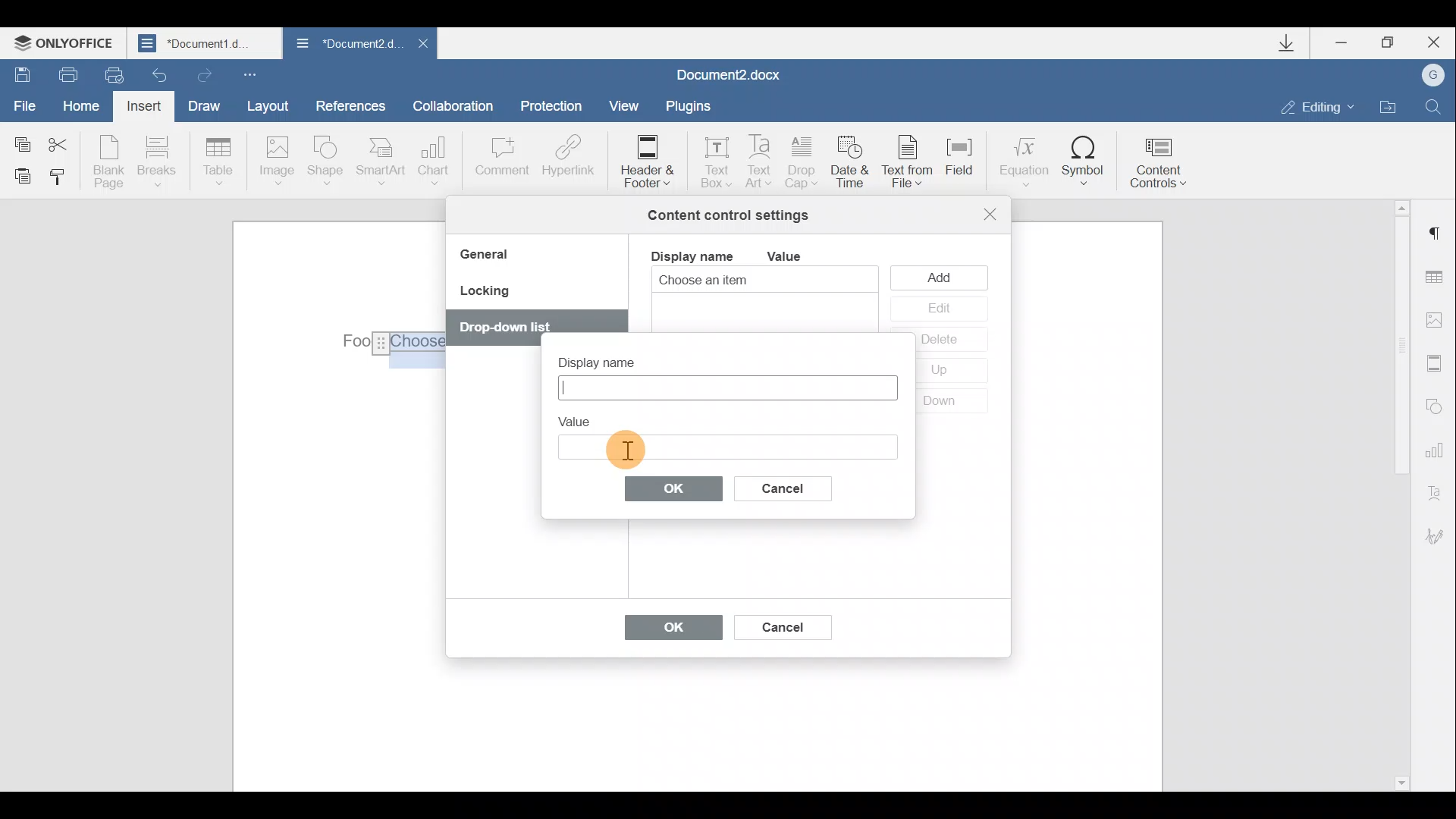 The width and height of the screenshot is (1456, 819). Describe the element at coordinates (781, 624) in the screenshot. I see `Cancel` at that location.